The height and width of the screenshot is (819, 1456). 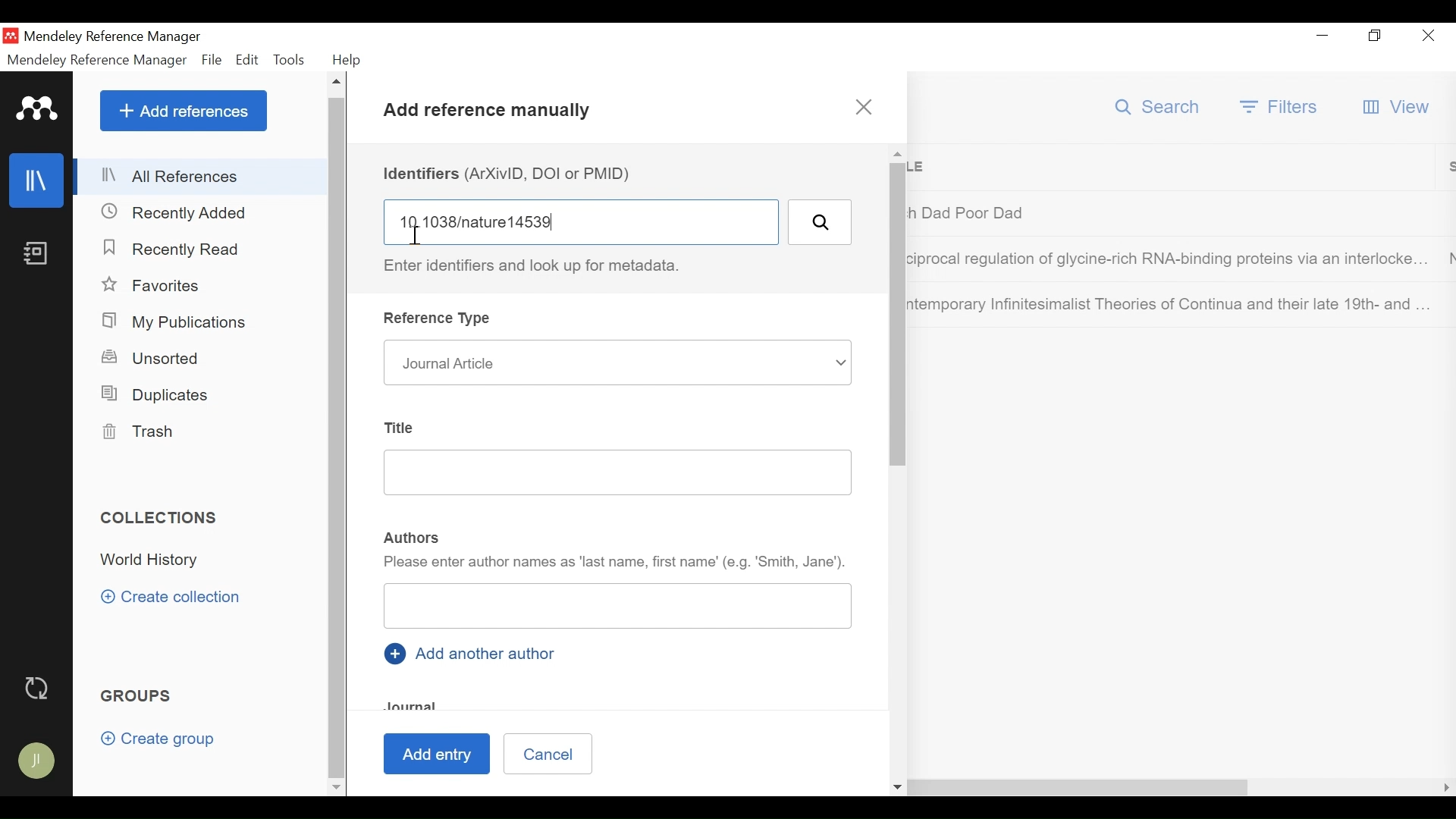 What do you see at coordinates (158, 395) in the screenshot?
I see `Duplicates` at bounding box center [158, 395].